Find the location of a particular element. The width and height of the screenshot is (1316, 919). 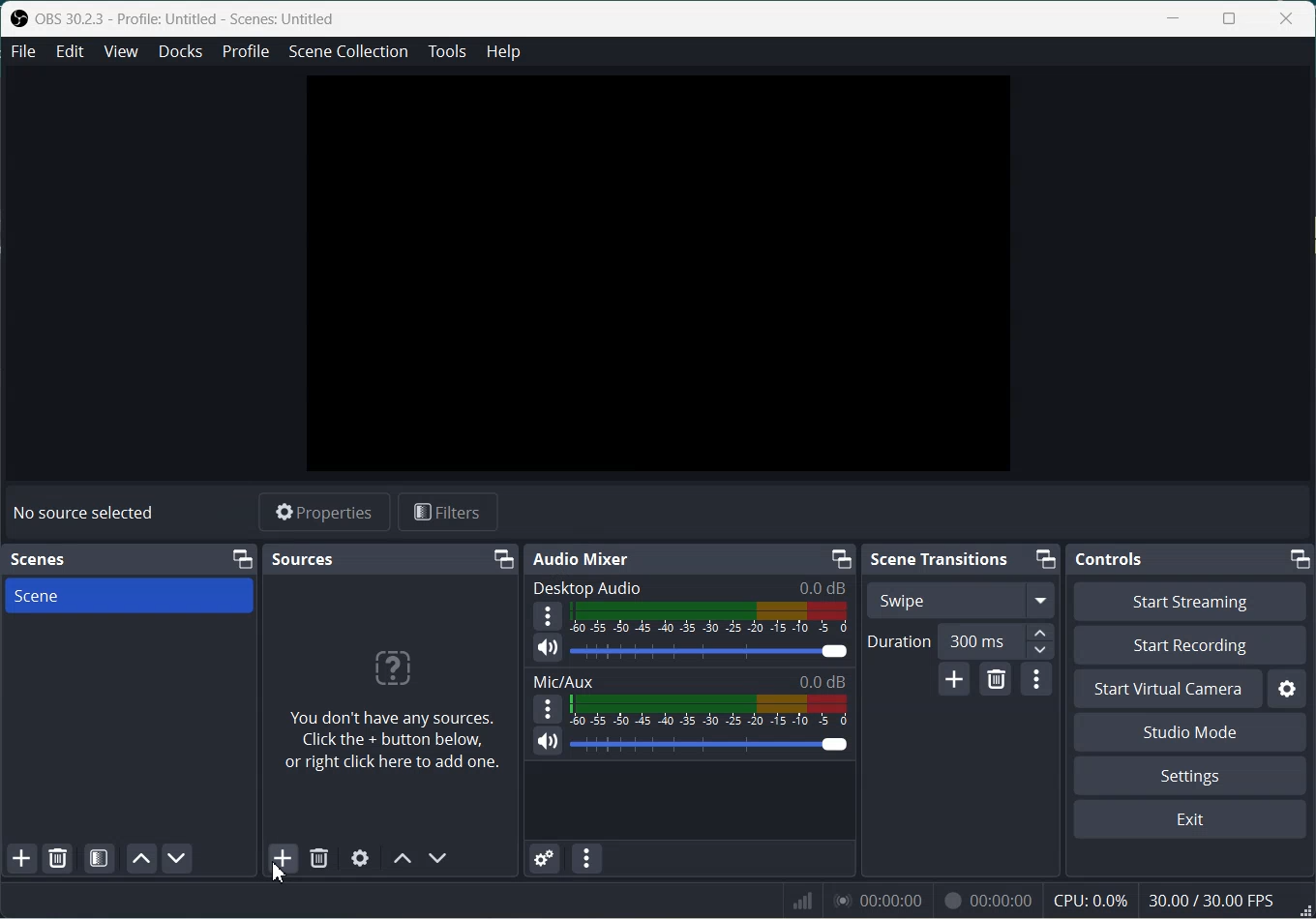

No source selected is located at coordinates (86, 513).